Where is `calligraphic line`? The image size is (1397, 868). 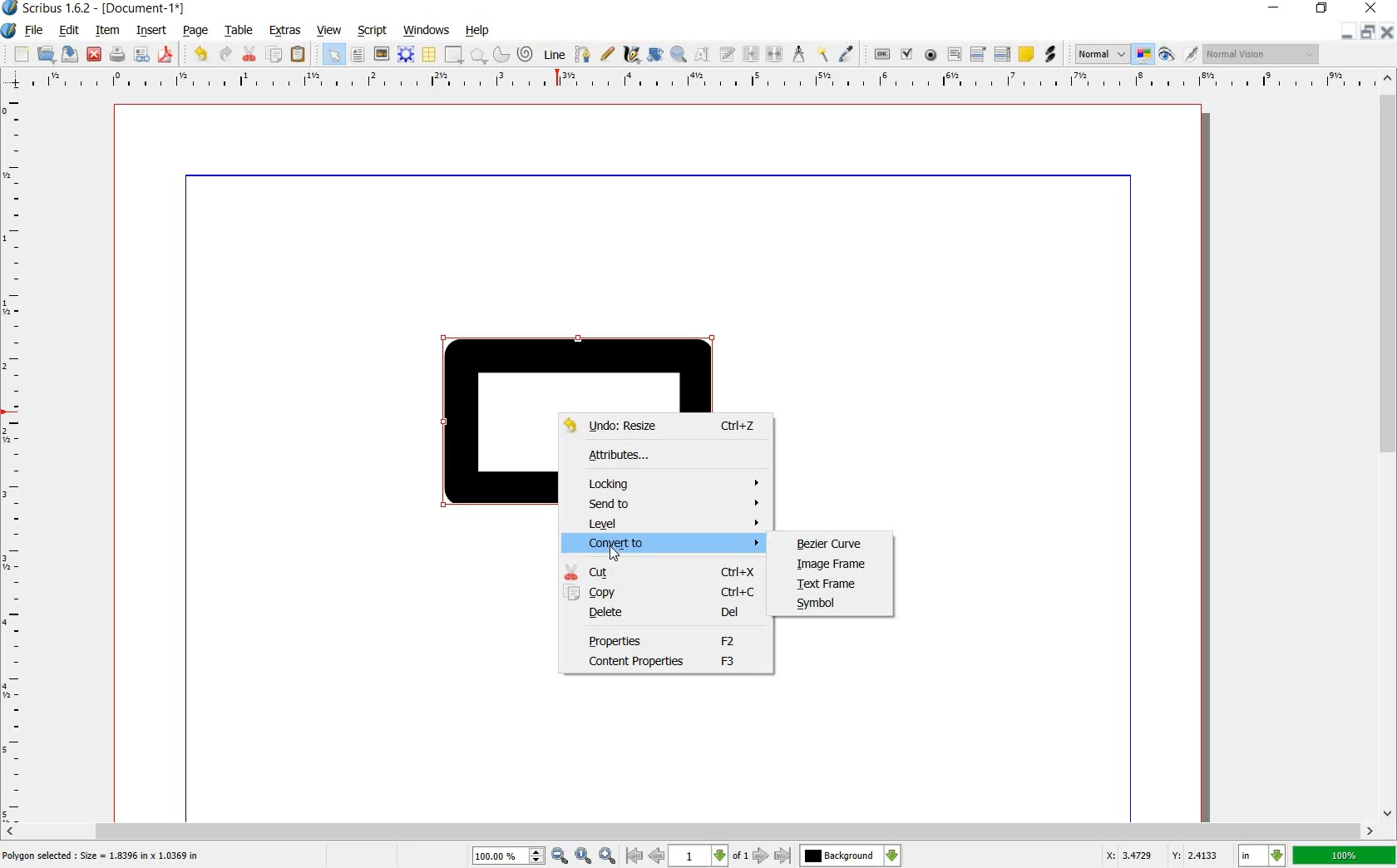 calligraphic line is located at coordinates (631, 55).